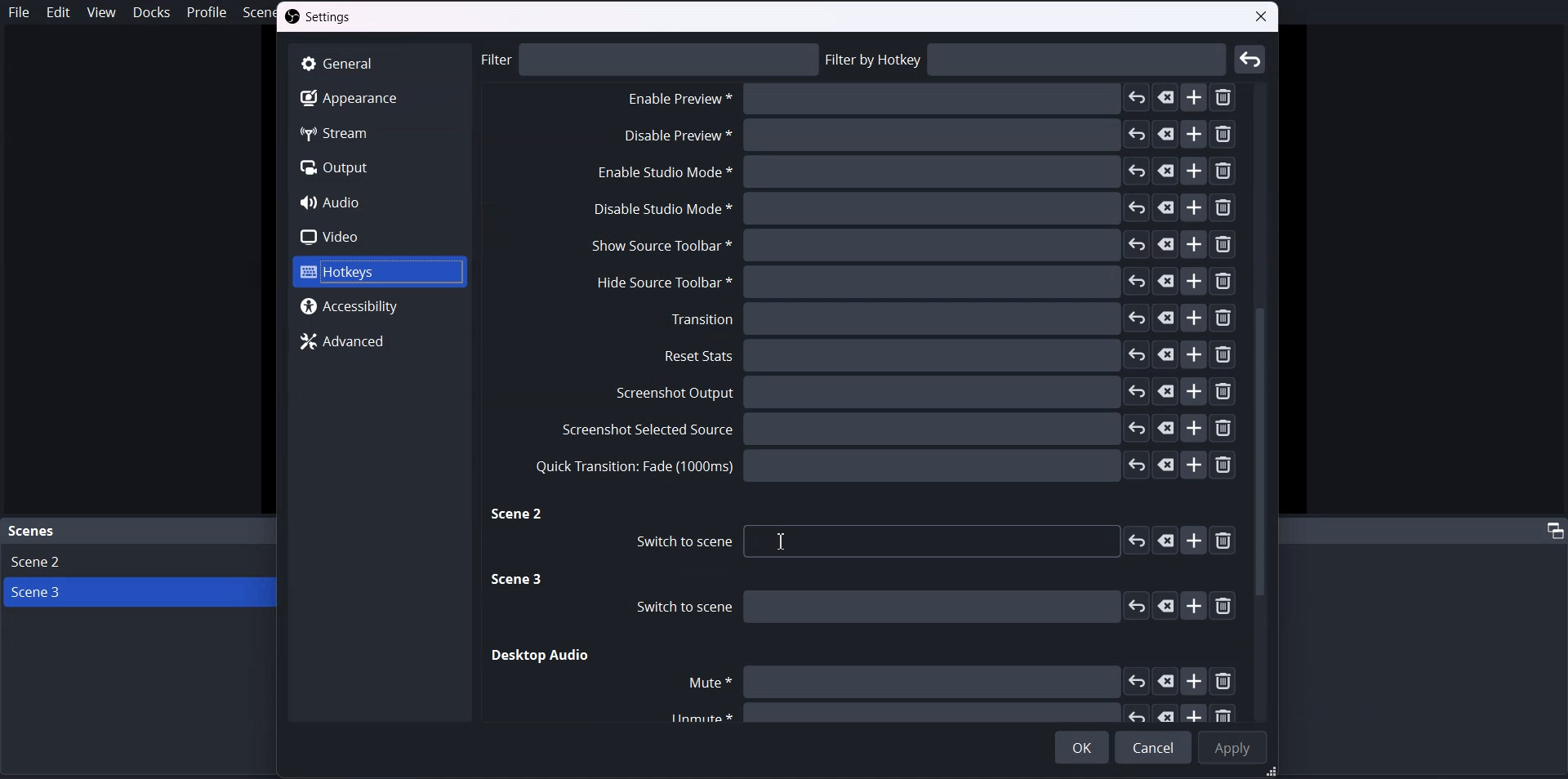 This screenshot has height=779, width=1568. Describe the element at coordinates (33, 532) in the screenshot. I see `Scene` at that location.